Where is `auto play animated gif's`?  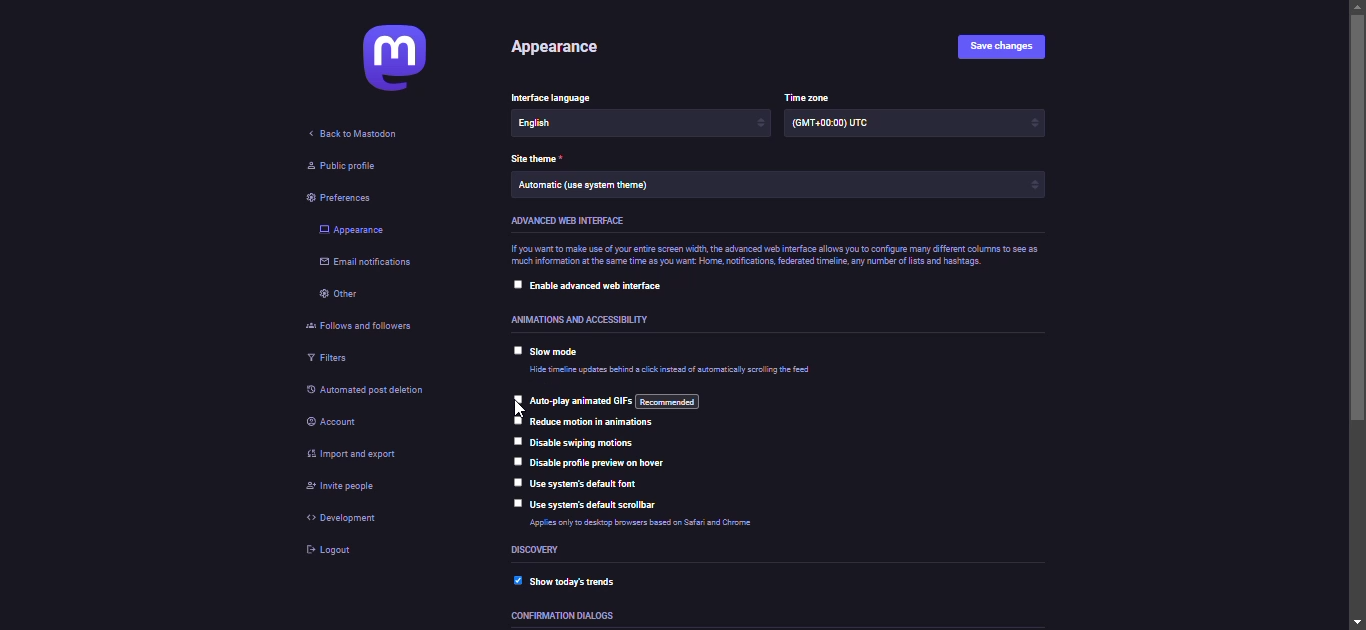
auto play animated gif's is located at coordinates (614, 401).